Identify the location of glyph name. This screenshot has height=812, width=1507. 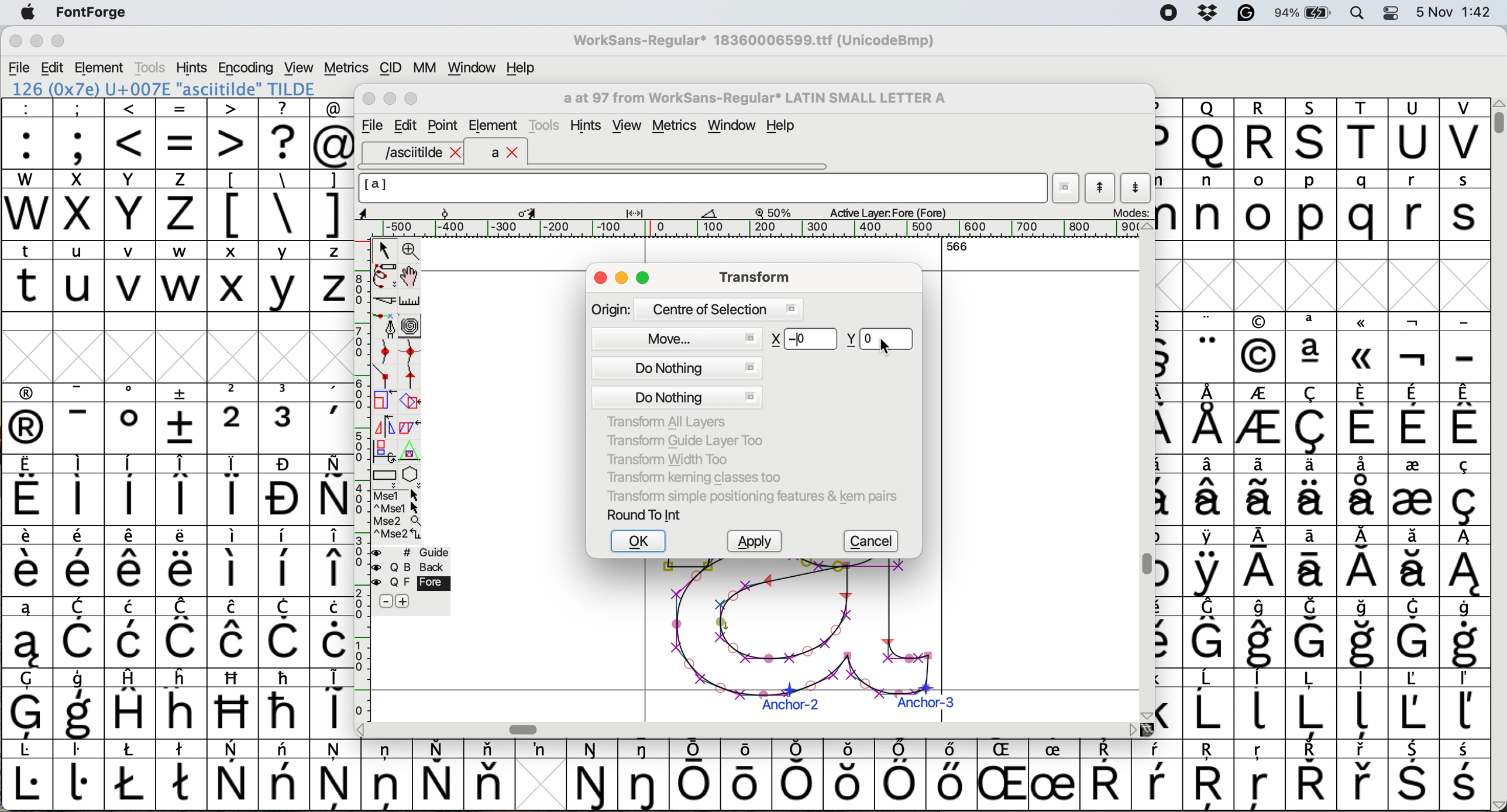
(701, 188).